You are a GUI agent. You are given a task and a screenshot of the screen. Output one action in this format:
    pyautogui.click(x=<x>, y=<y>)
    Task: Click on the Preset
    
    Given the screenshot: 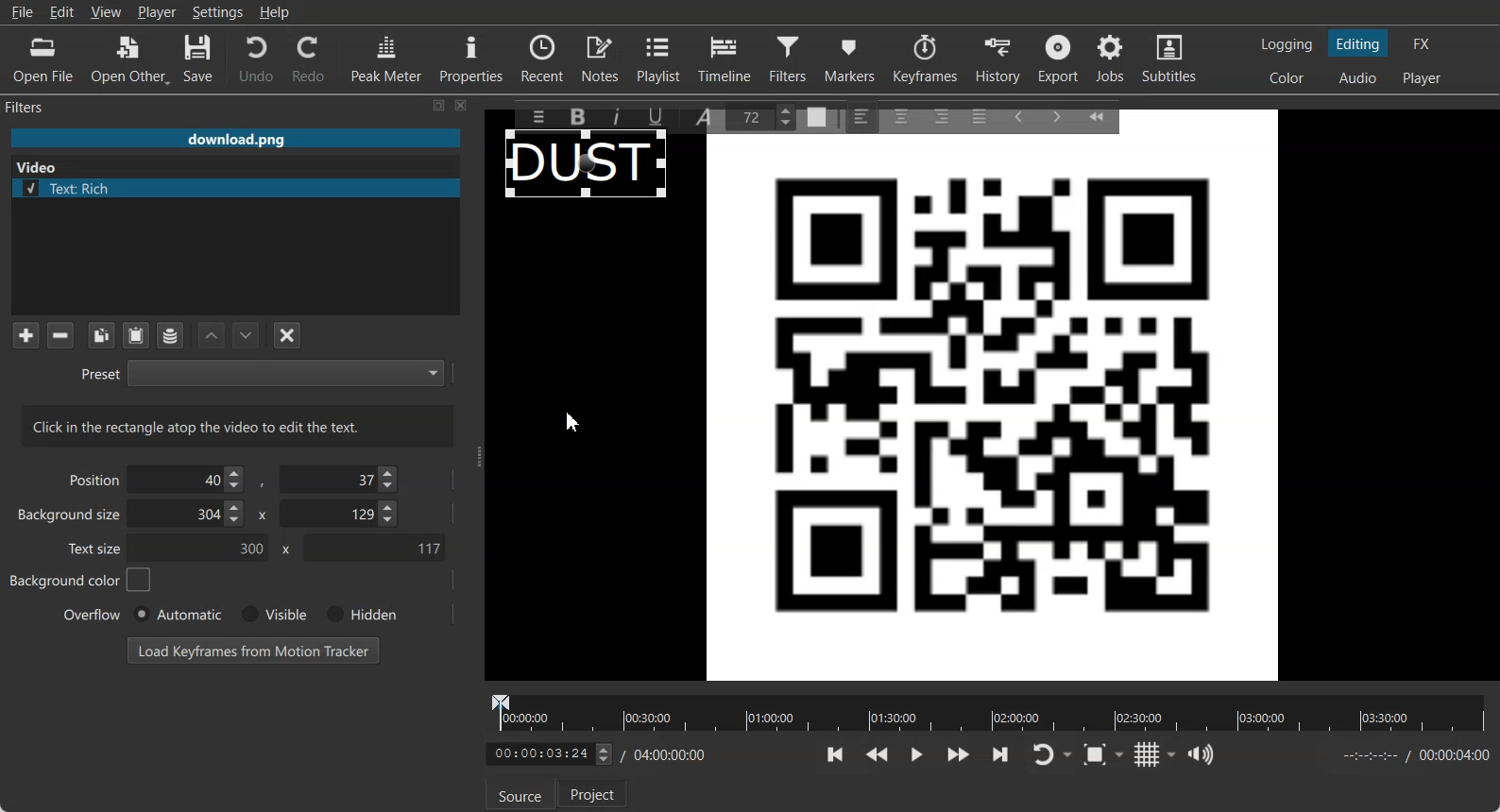 What is the action you would take?
    pyautogui.click(x=262, y=372)
    